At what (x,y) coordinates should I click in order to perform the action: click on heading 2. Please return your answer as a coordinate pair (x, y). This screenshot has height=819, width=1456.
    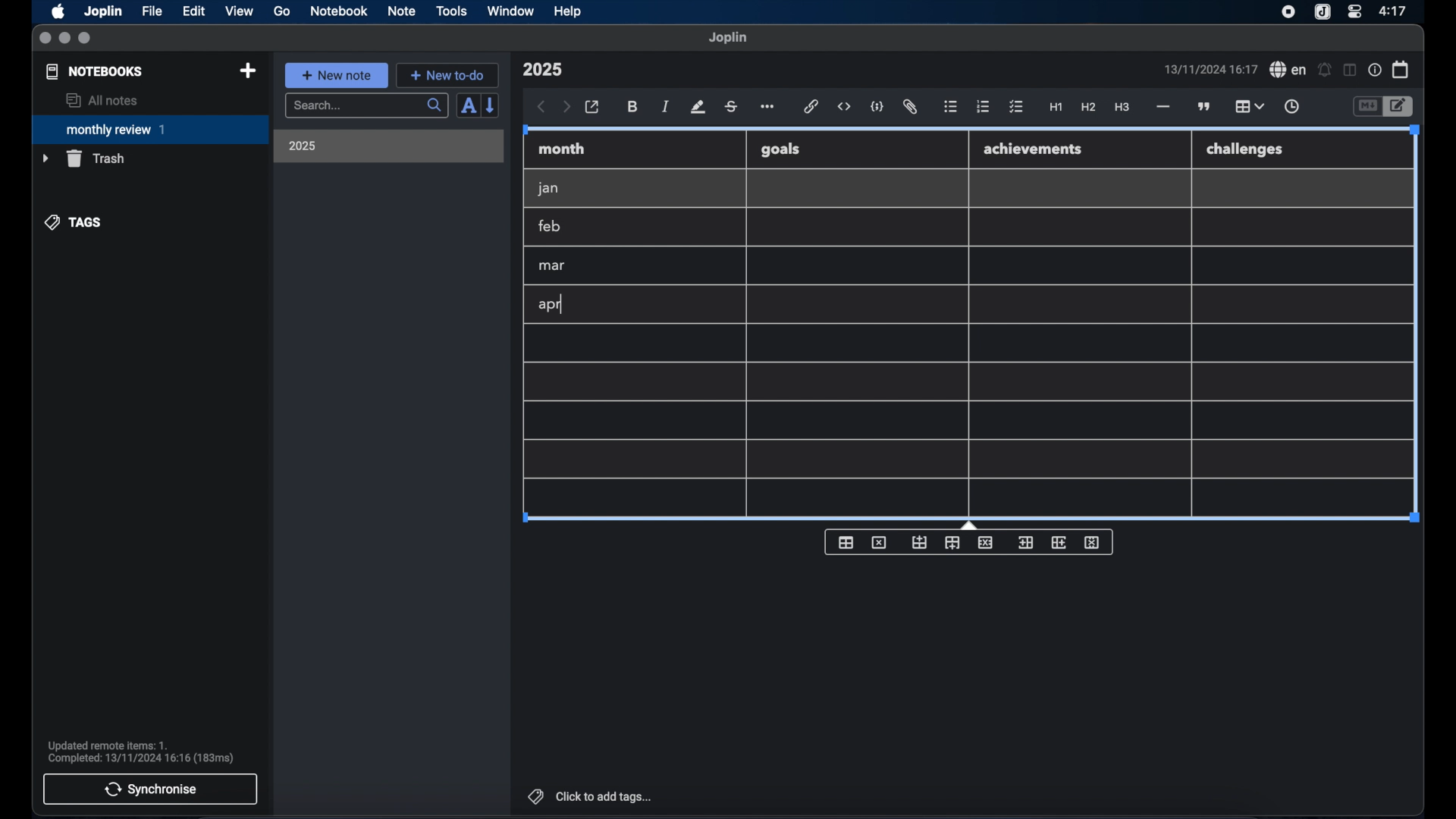
    Looking at the image, I should click on (1089, 108).